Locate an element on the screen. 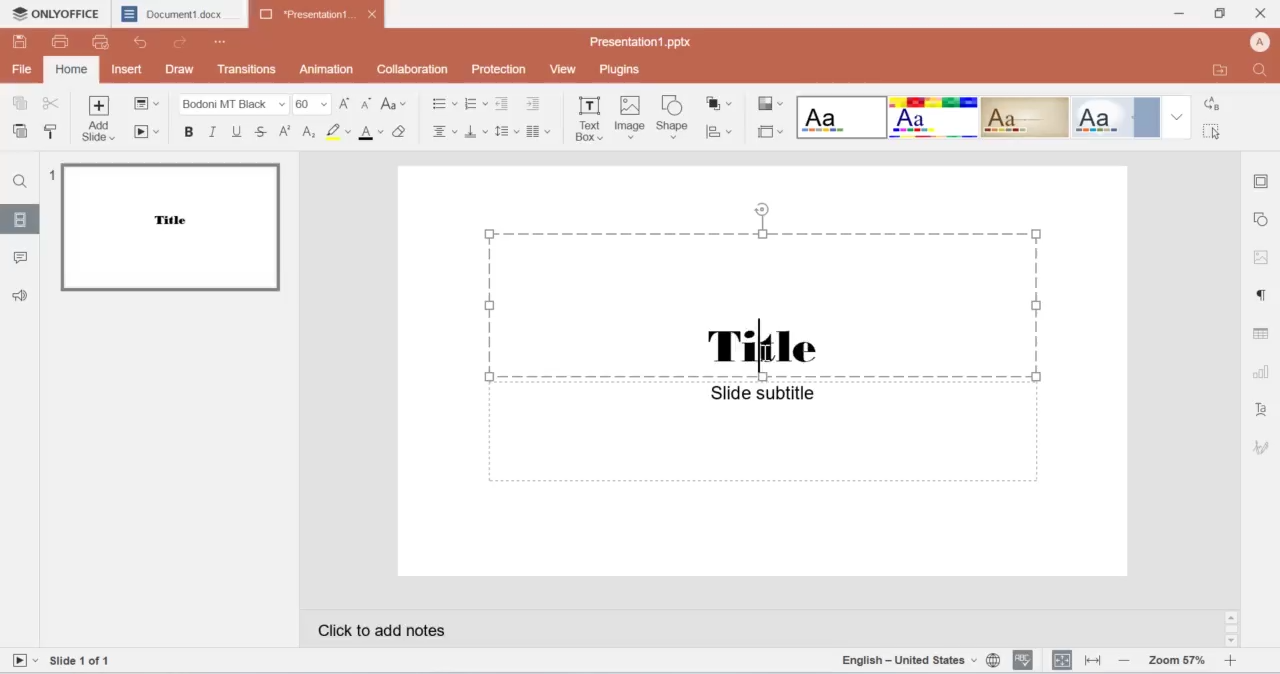 Image resolution: width=1280 pixels, height=674 pixels. case is located at coordinates (395, 104).